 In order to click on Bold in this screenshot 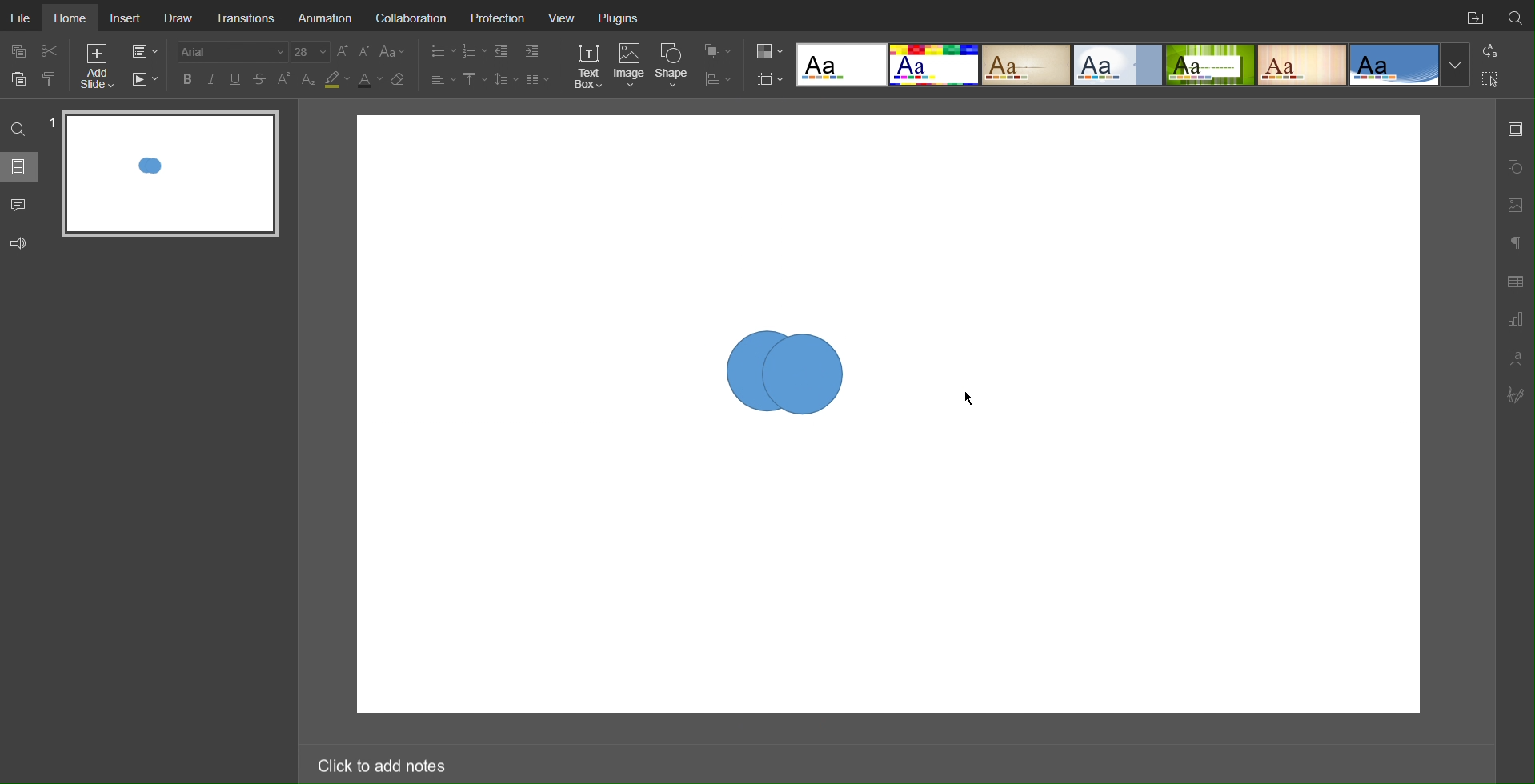, I will do `click(187, 78)`.